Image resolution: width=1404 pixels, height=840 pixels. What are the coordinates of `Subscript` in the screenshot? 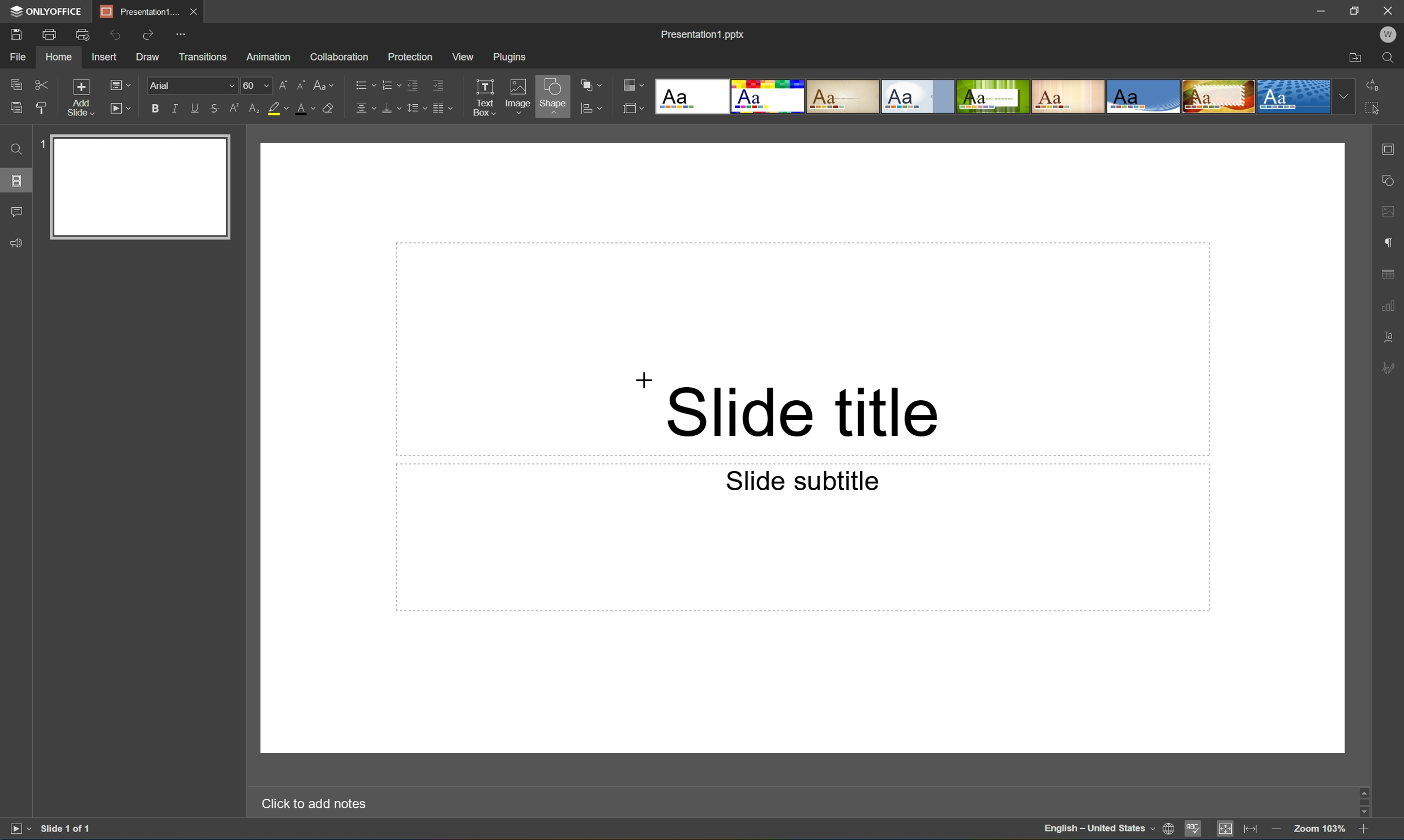 It's located at (250, 109).